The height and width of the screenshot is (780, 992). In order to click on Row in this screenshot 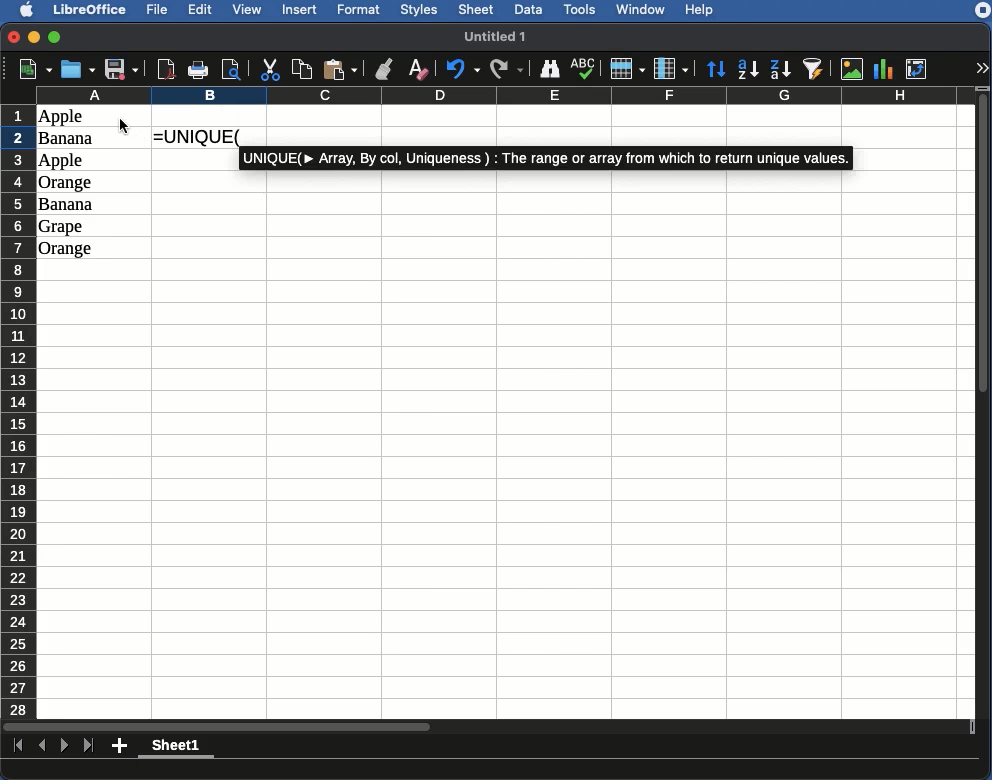, I will do `click(626, 69)`.